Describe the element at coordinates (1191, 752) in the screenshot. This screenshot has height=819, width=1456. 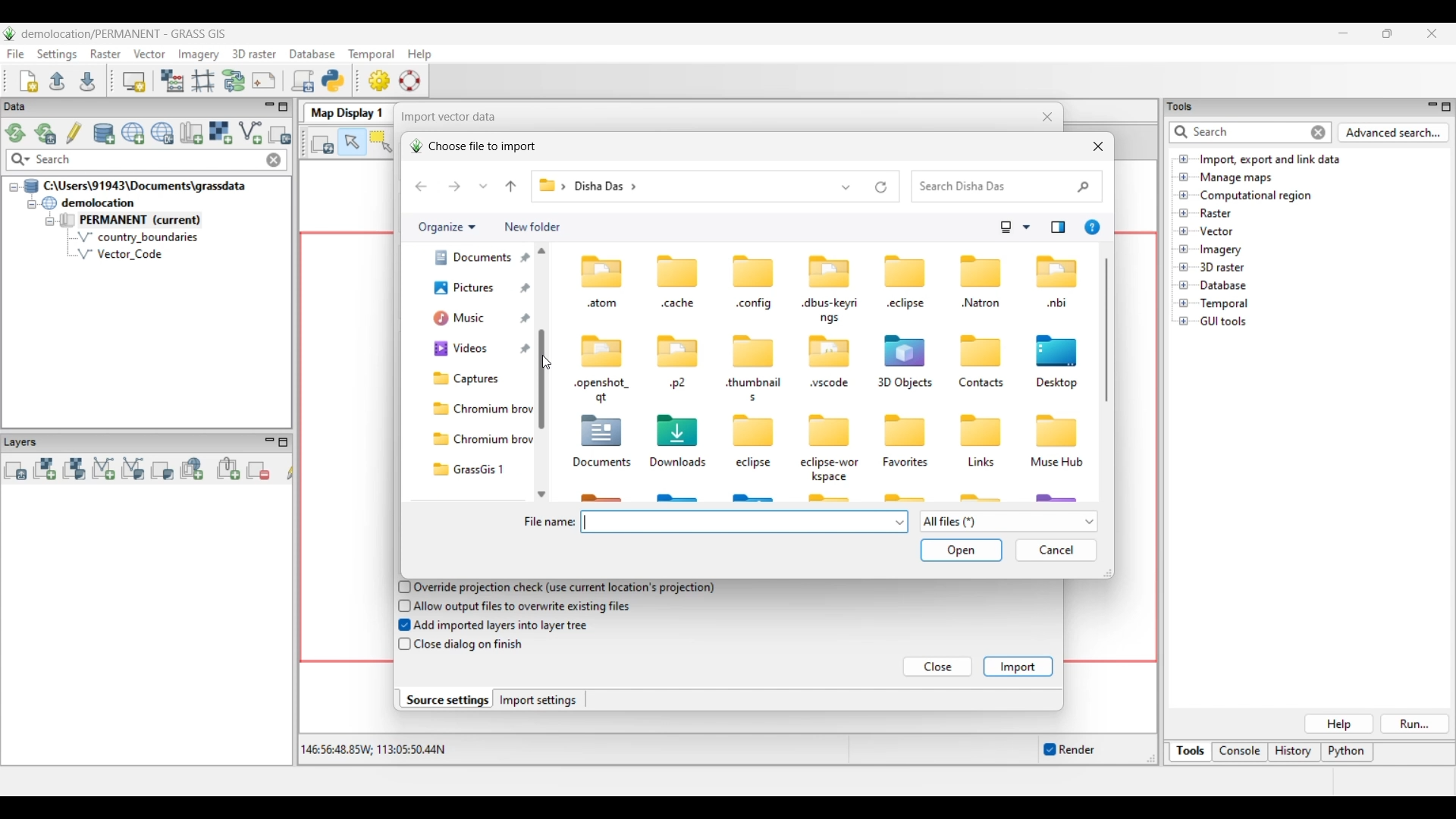
I see `Tools, current selection` at that location.